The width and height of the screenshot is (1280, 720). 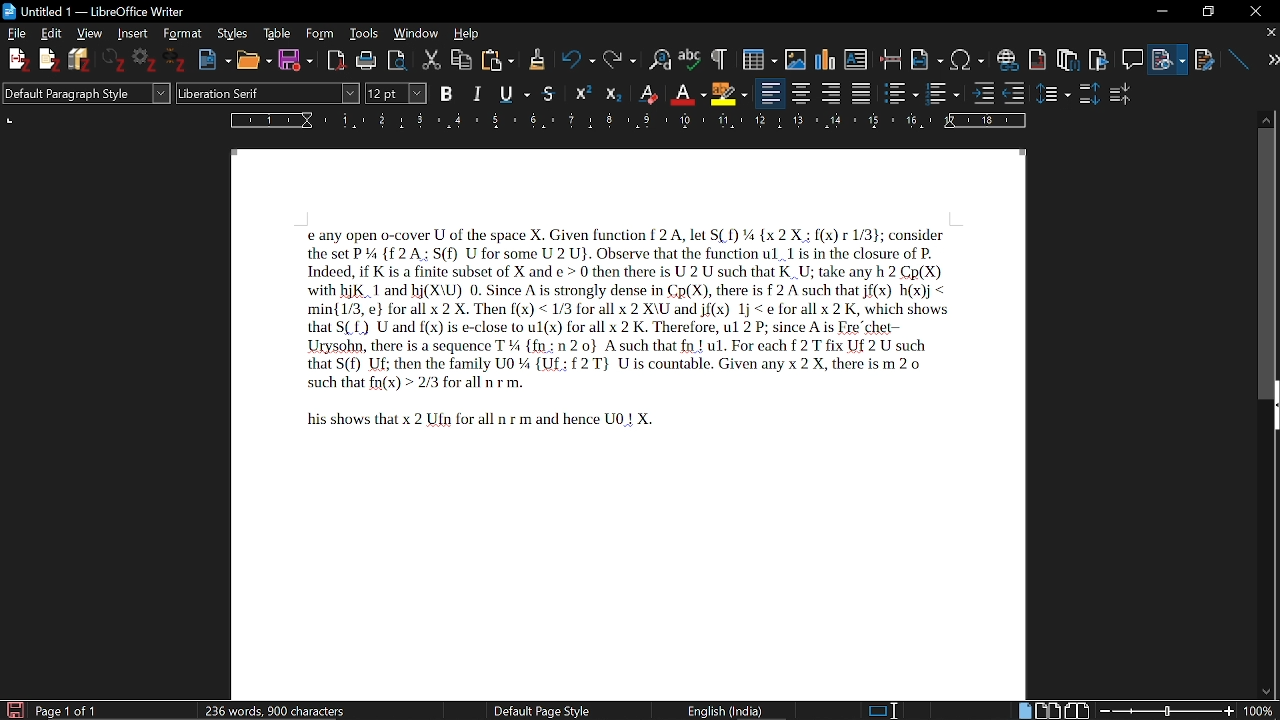 I want to click on Undo, so click(x=572, y=59).